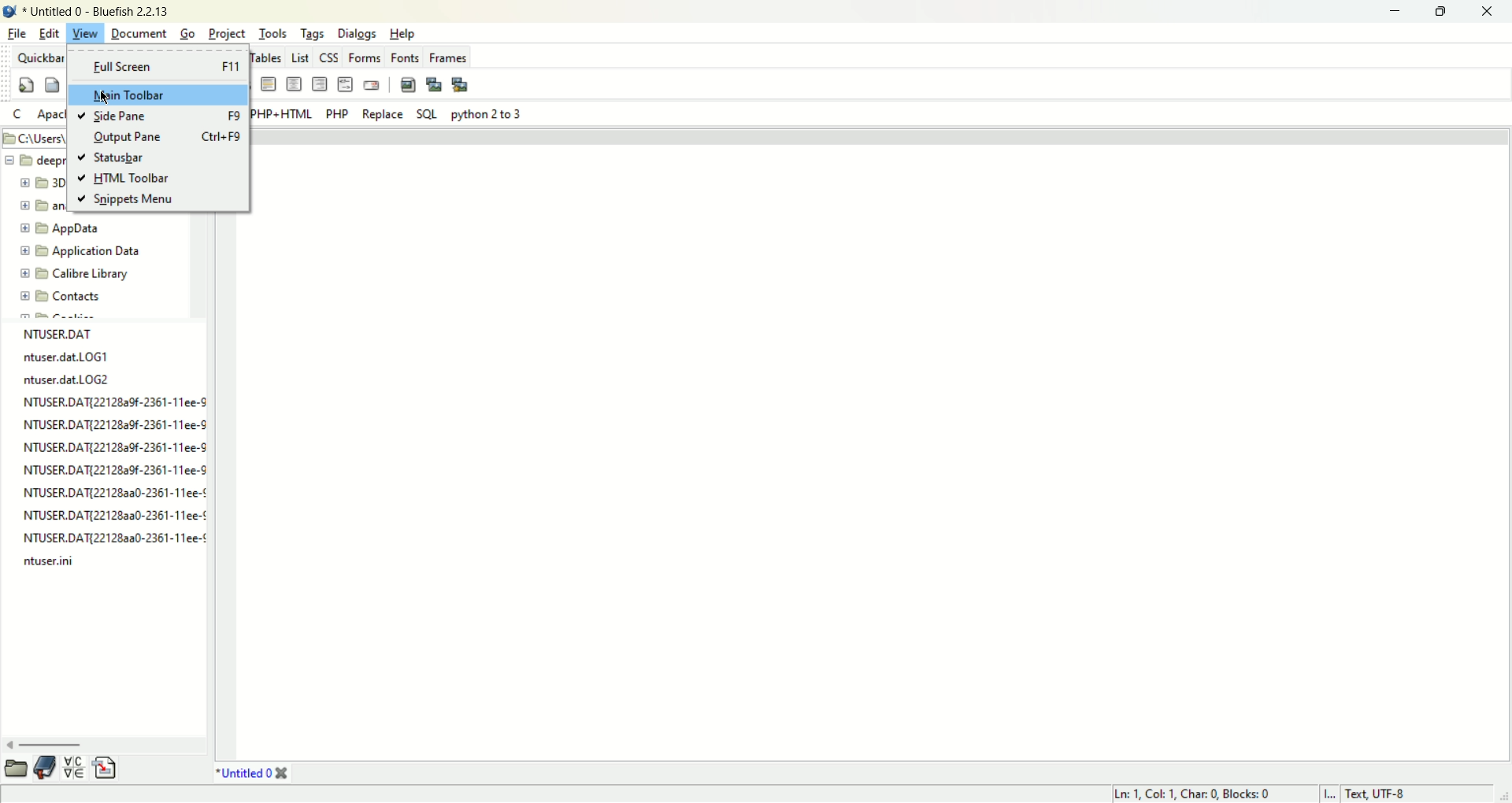 The image size is (1512, 803). Describe the element at coordinates (313, 34) in the screenshot. I see `tags` at that location.